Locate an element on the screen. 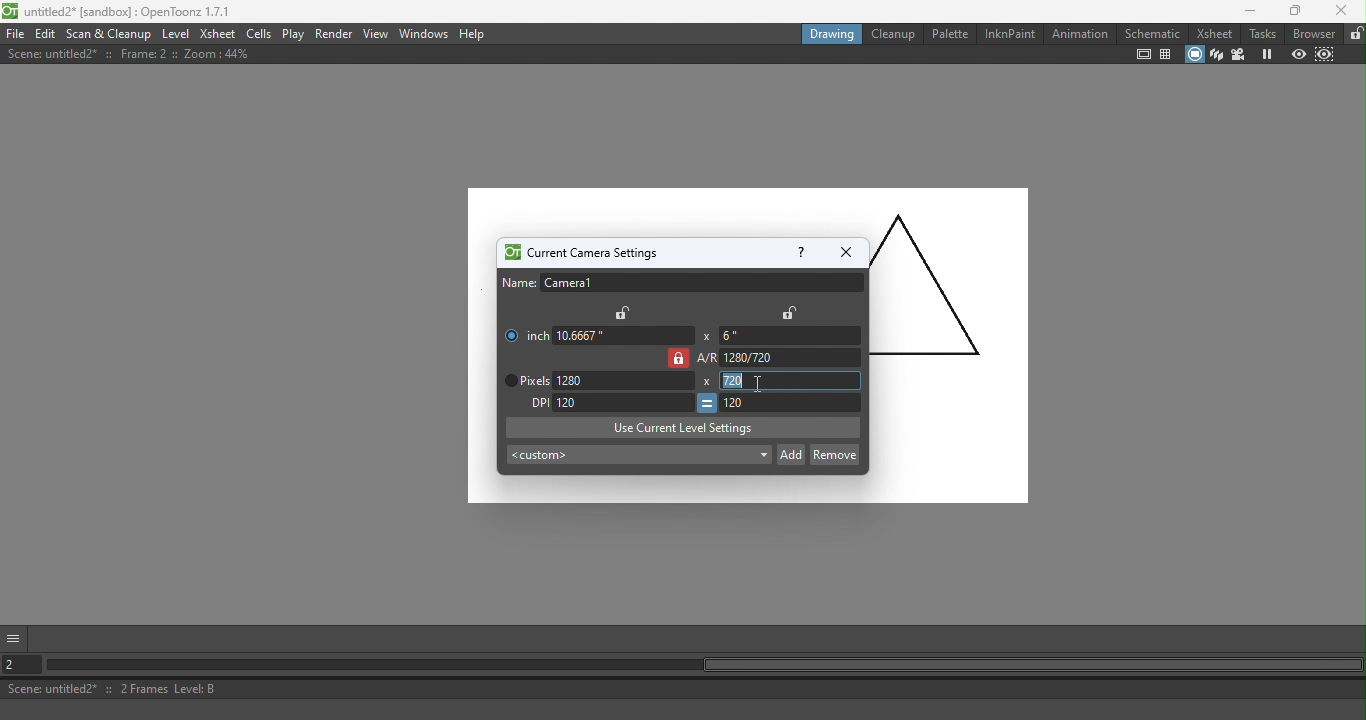  Shematic is located at coordinates (1151, 31).